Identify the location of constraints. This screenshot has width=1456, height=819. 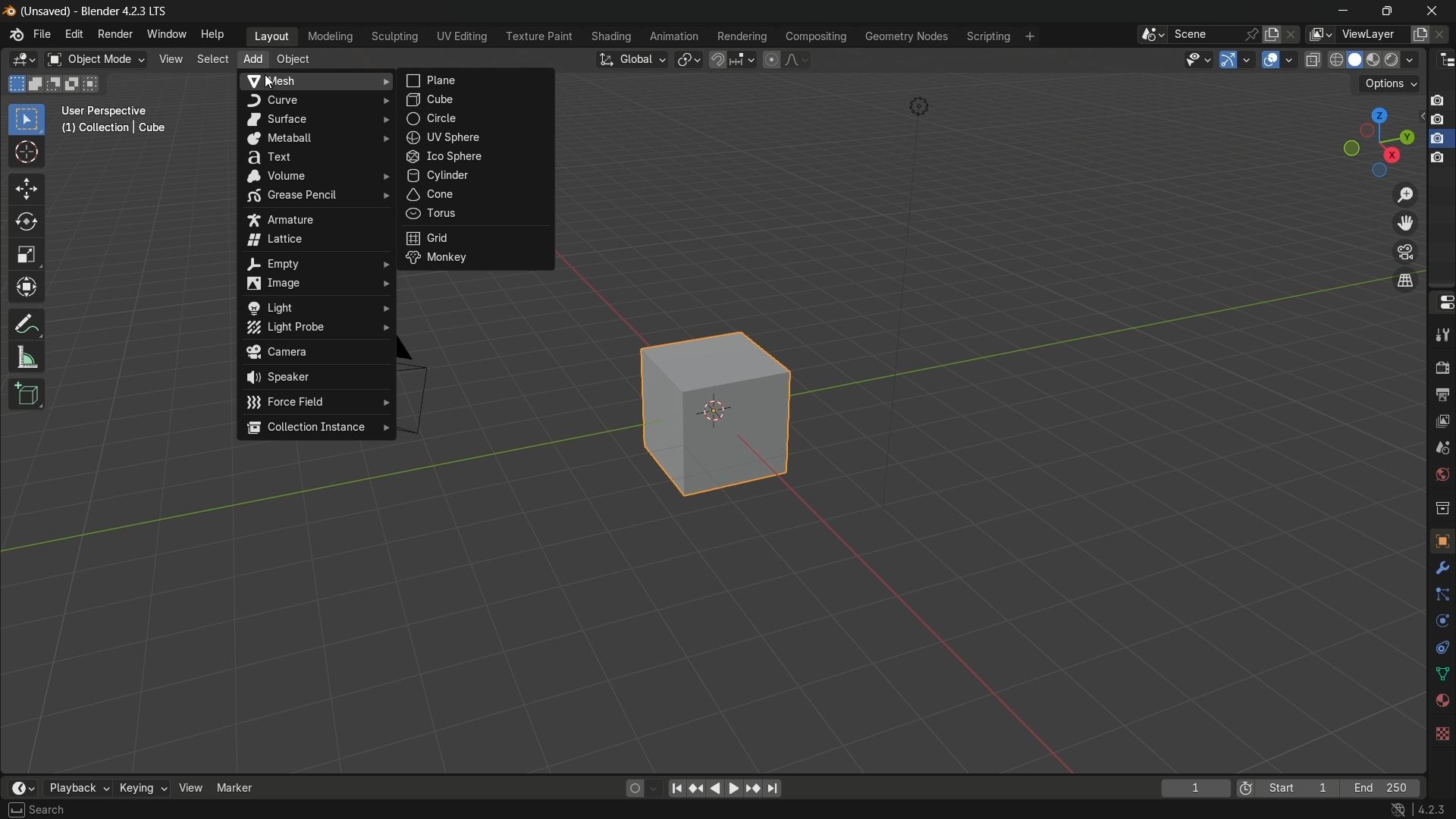
(1441, 648).